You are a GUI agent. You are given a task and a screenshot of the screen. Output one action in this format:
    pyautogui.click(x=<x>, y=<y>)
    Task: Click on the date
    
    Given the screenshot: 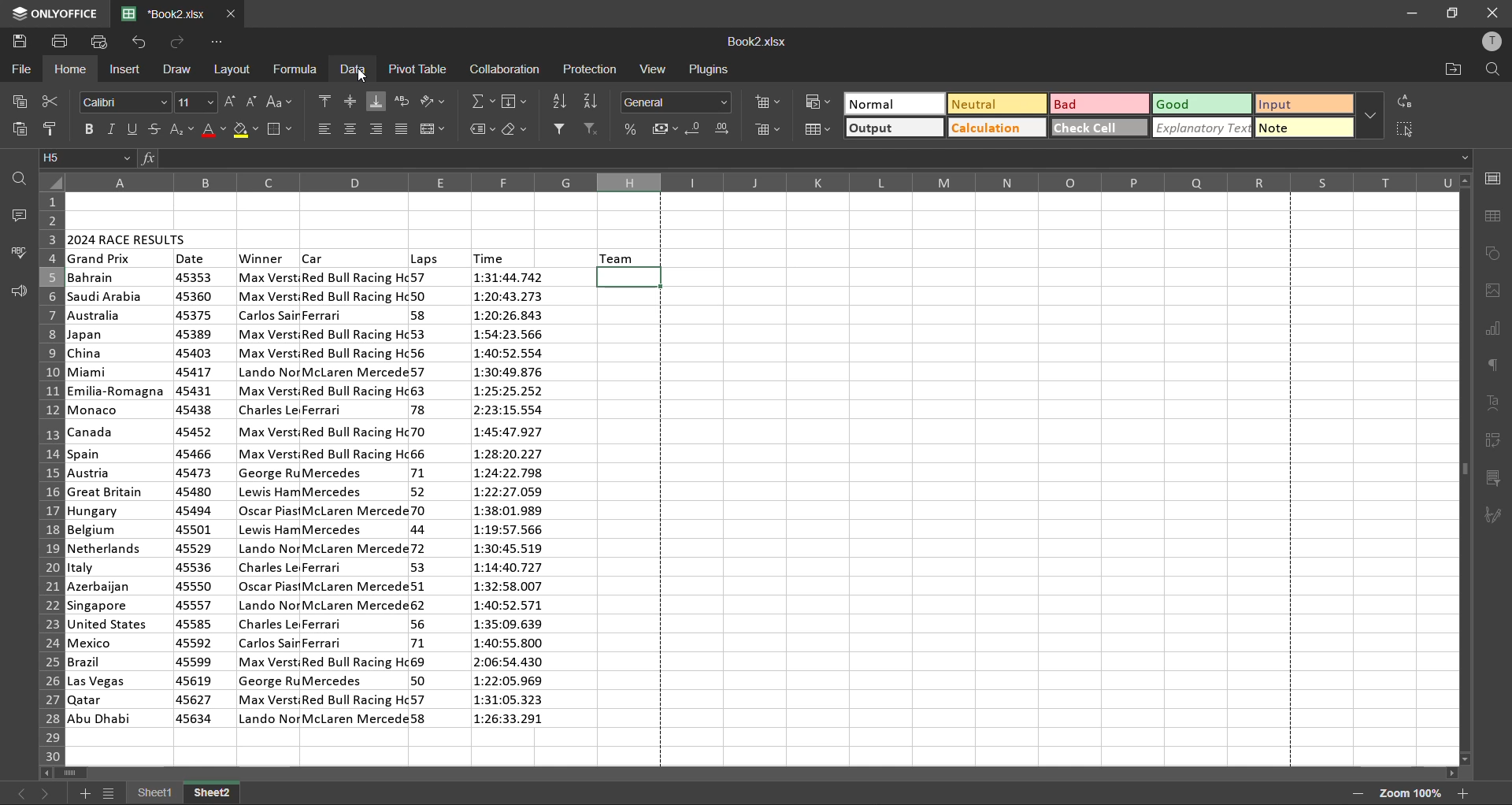 What is the action you would take?
    pyautogui.click(x=195, y=499)
    